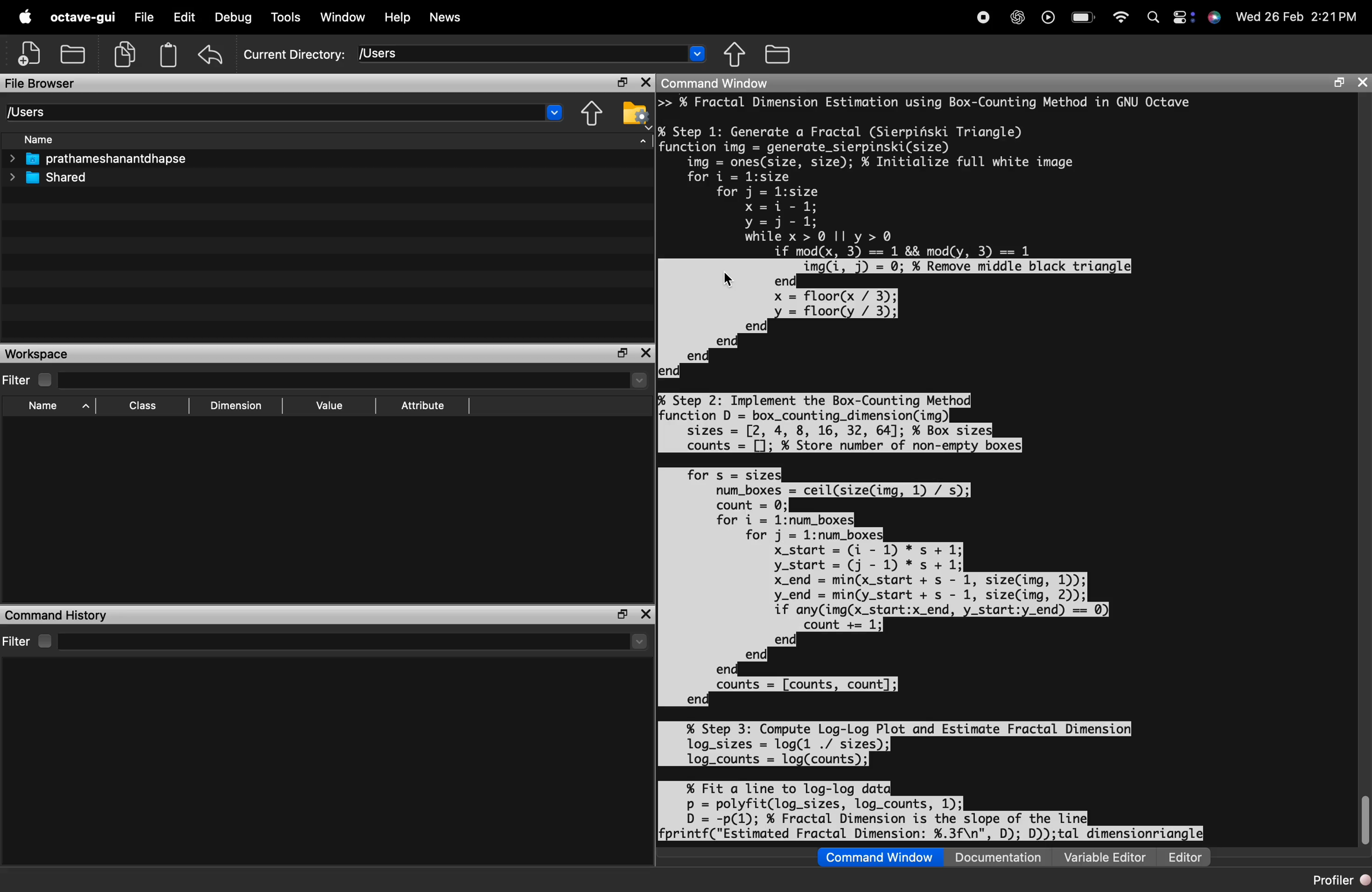 This screenshot has height=892, width=1372. What do you see at coordinates (1186, 855) in the screenshot?
I see `Editor` at bounding box center [1186, 855].